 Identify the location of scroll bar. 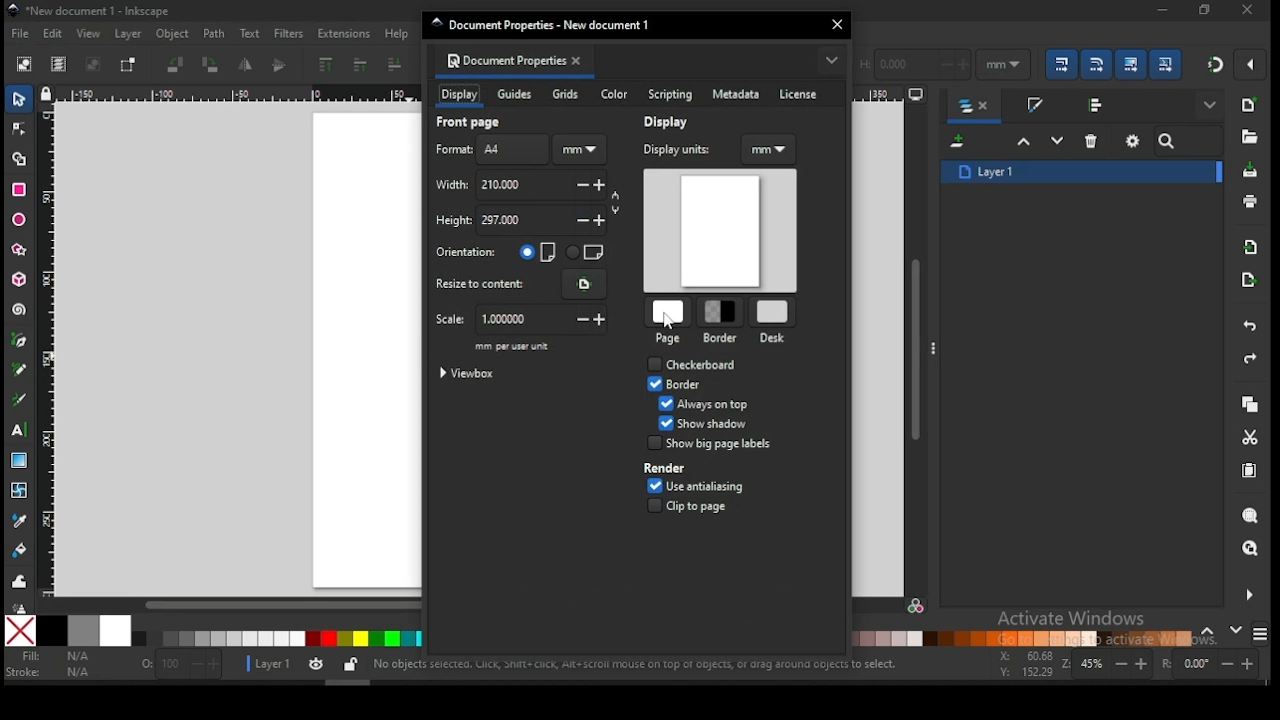
(917, 348).